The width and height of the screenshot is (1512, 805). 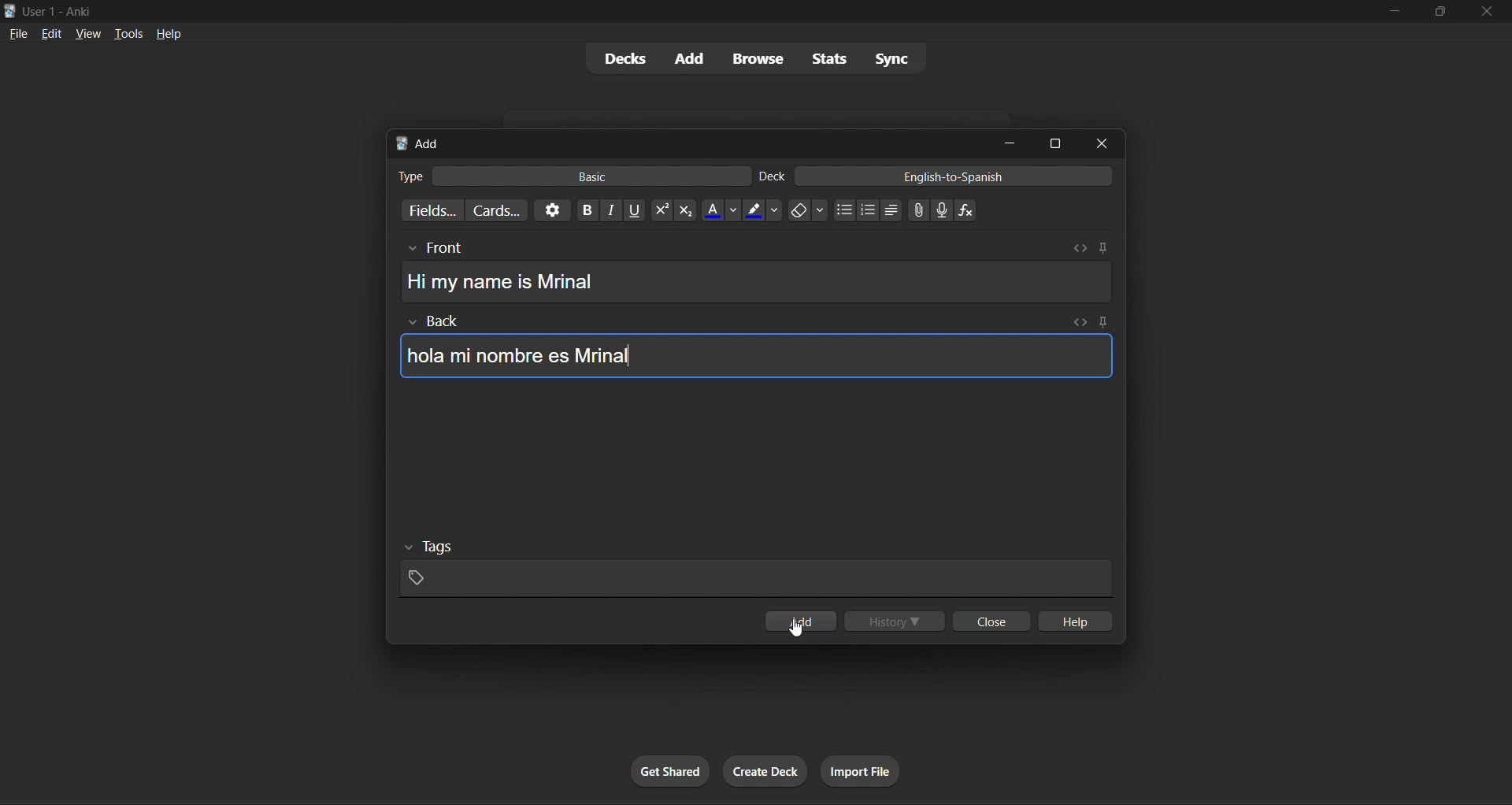 What do you see at coordinates (988, 623) in the screenshot?
I see `close` at bounding box center [988, 623].